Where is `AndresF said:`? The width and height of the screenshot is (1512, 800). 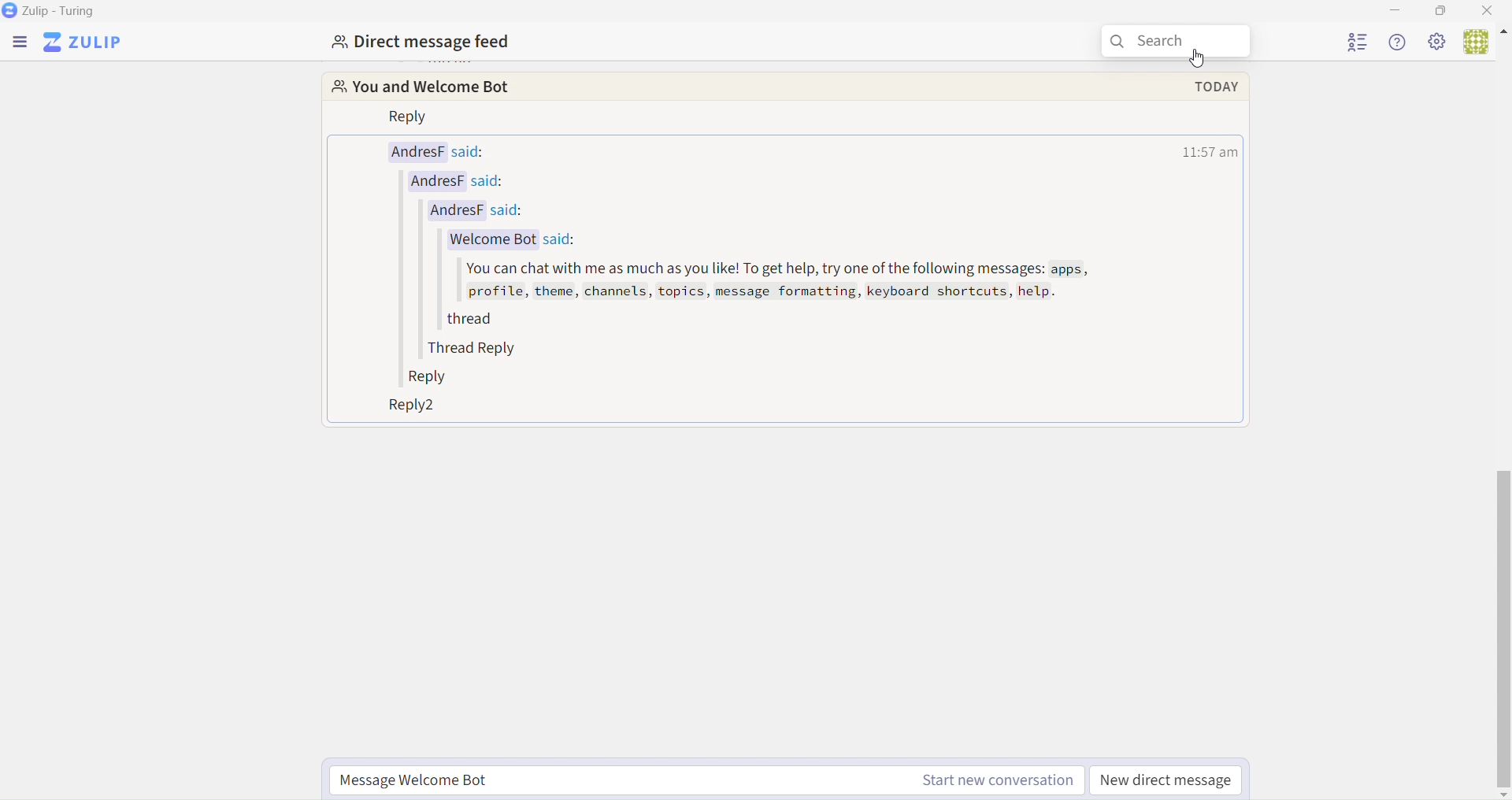 AndresF said: is located at coordinates (439, 154).